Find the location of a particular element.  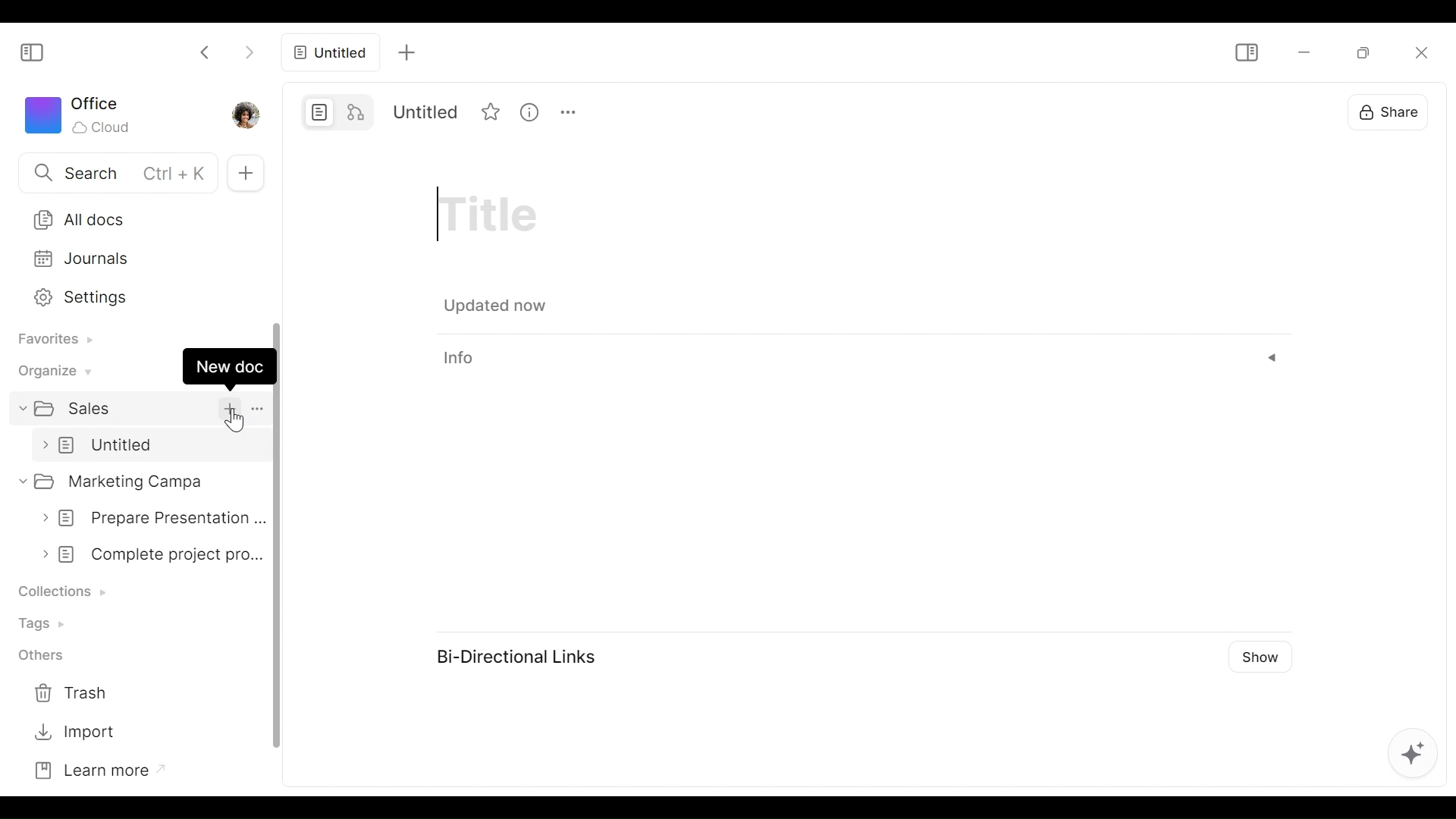

vertical scroll bar is located at coordinates (277, 659).